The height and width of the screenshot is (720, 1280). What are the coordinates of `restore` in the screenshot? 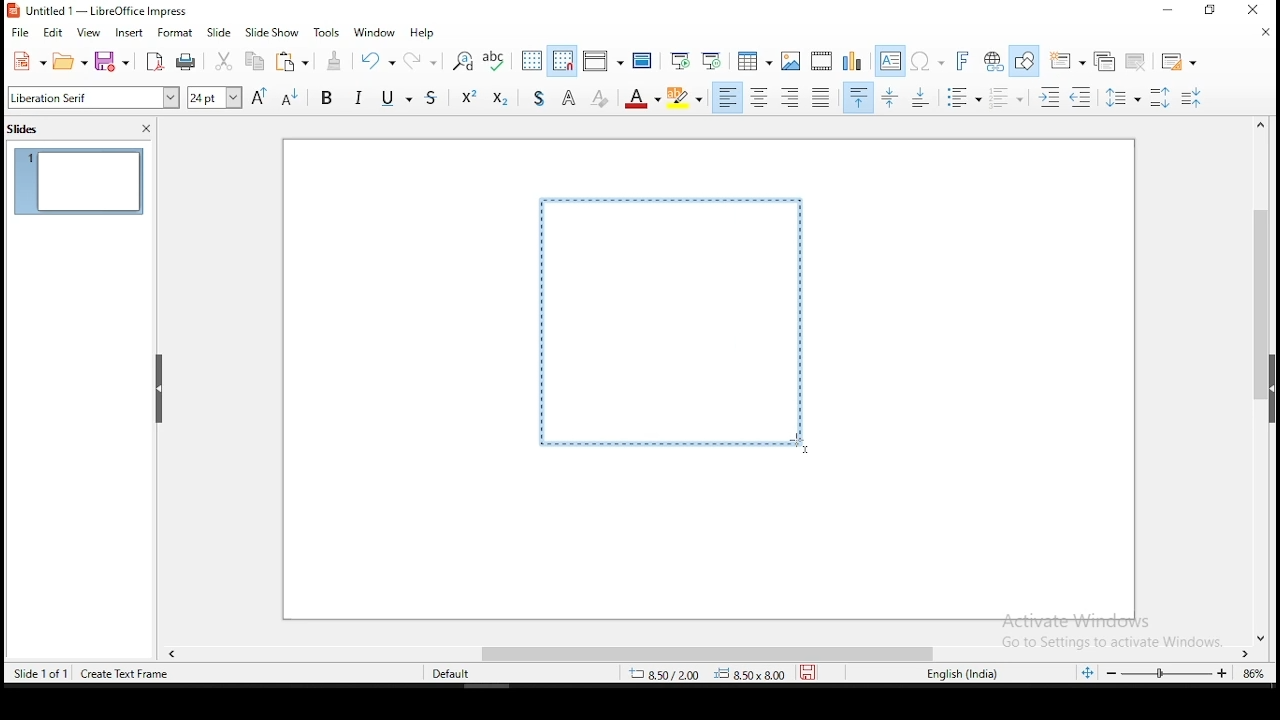 It's located at (1210, 11).